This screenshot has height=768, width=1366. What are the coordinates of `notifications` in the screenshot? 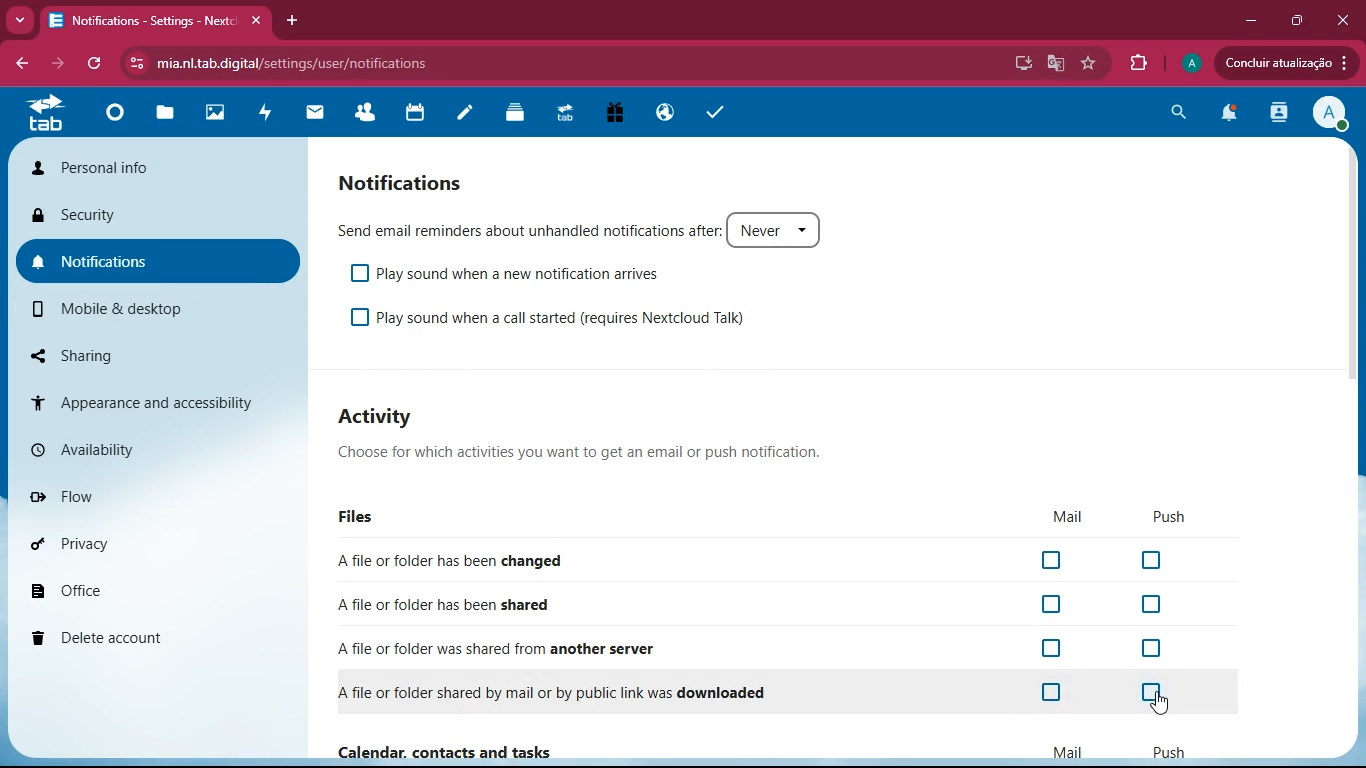 It's located at (149, 259).